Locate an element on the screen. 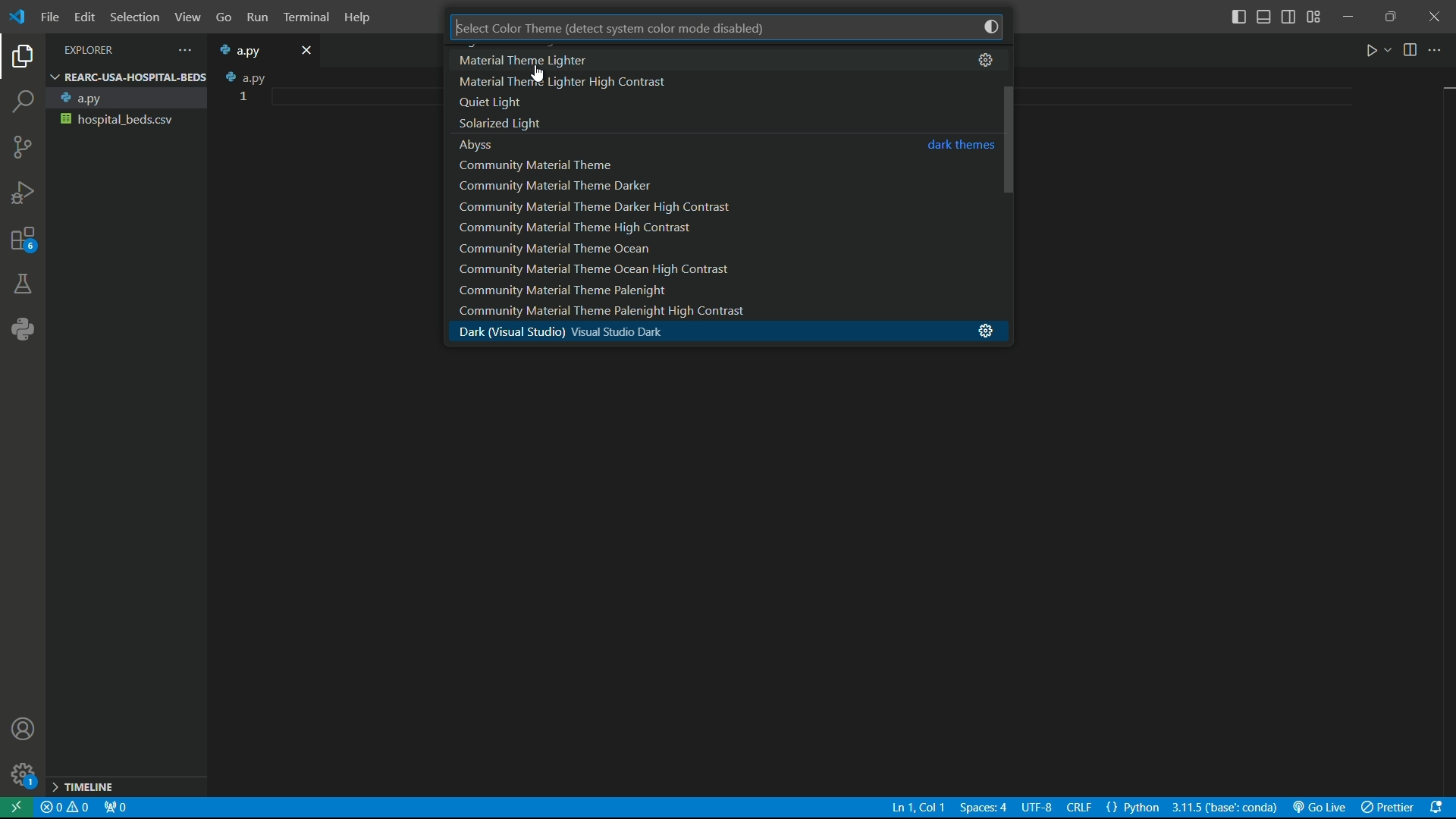  run or debugging is located at coordinates (22, 193).